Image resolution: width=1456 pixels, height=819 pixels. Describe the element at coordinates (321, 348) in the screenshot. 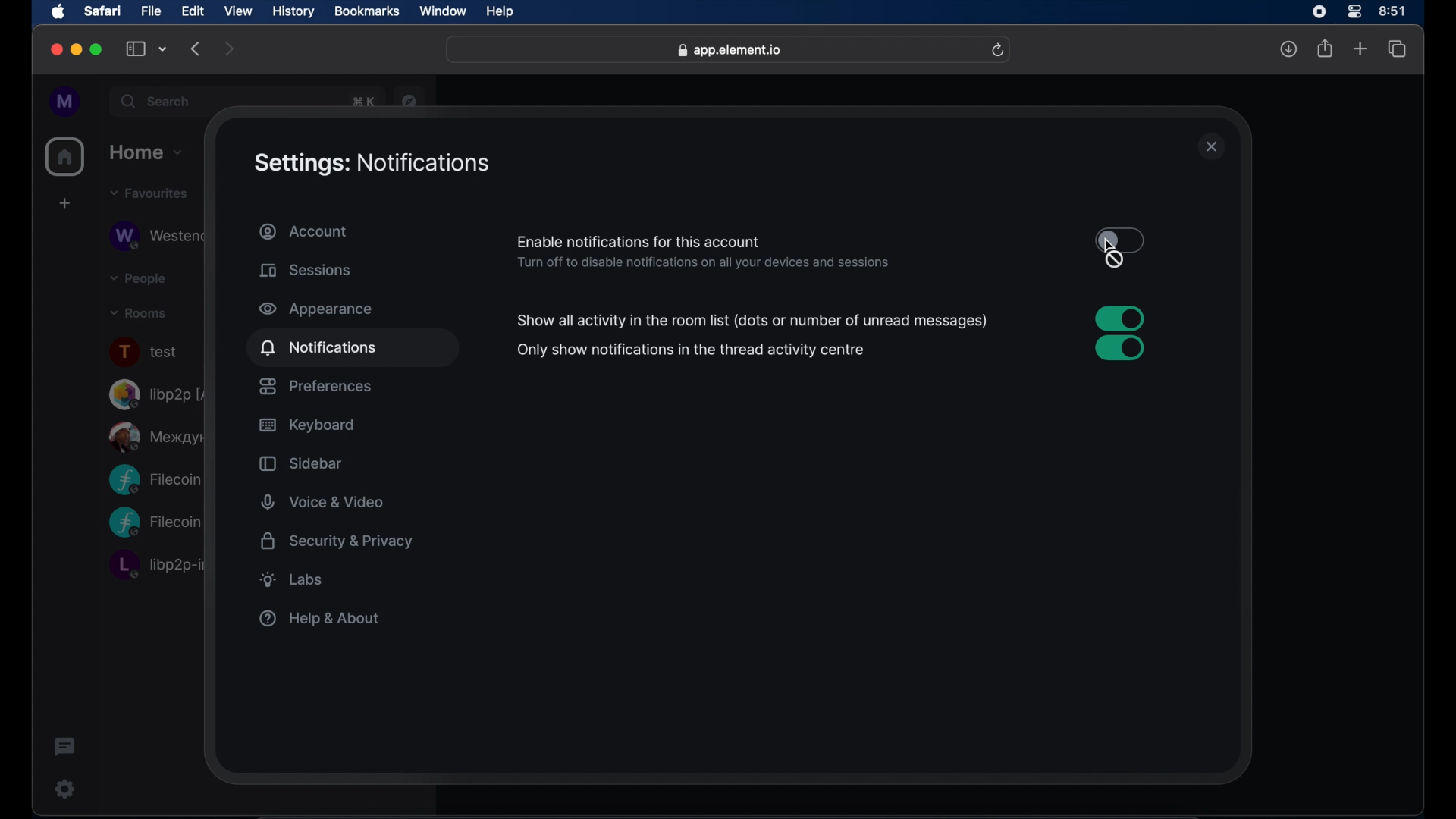

I see `notifications` at that location.